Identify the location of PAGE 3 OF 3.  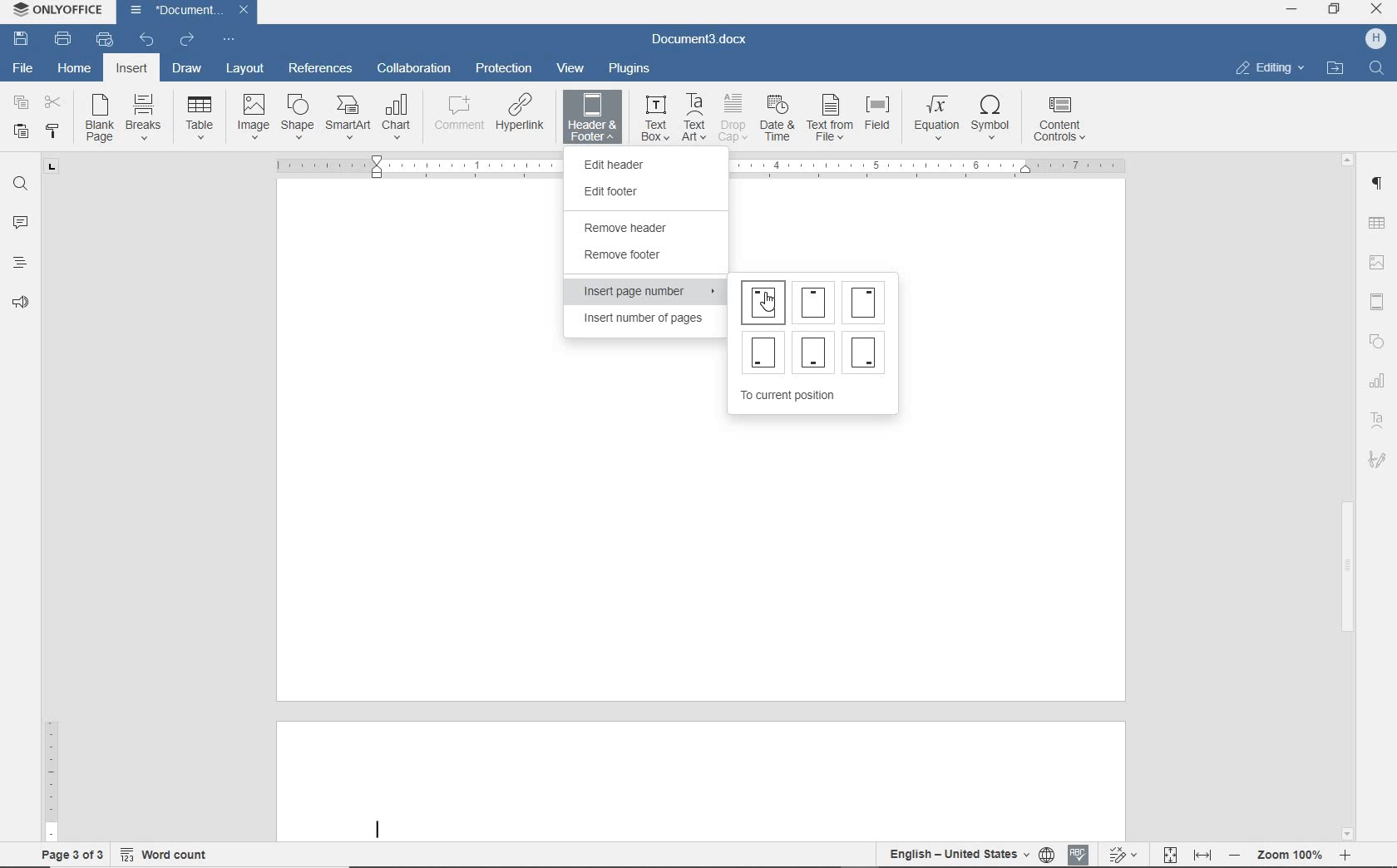
(69, 852).